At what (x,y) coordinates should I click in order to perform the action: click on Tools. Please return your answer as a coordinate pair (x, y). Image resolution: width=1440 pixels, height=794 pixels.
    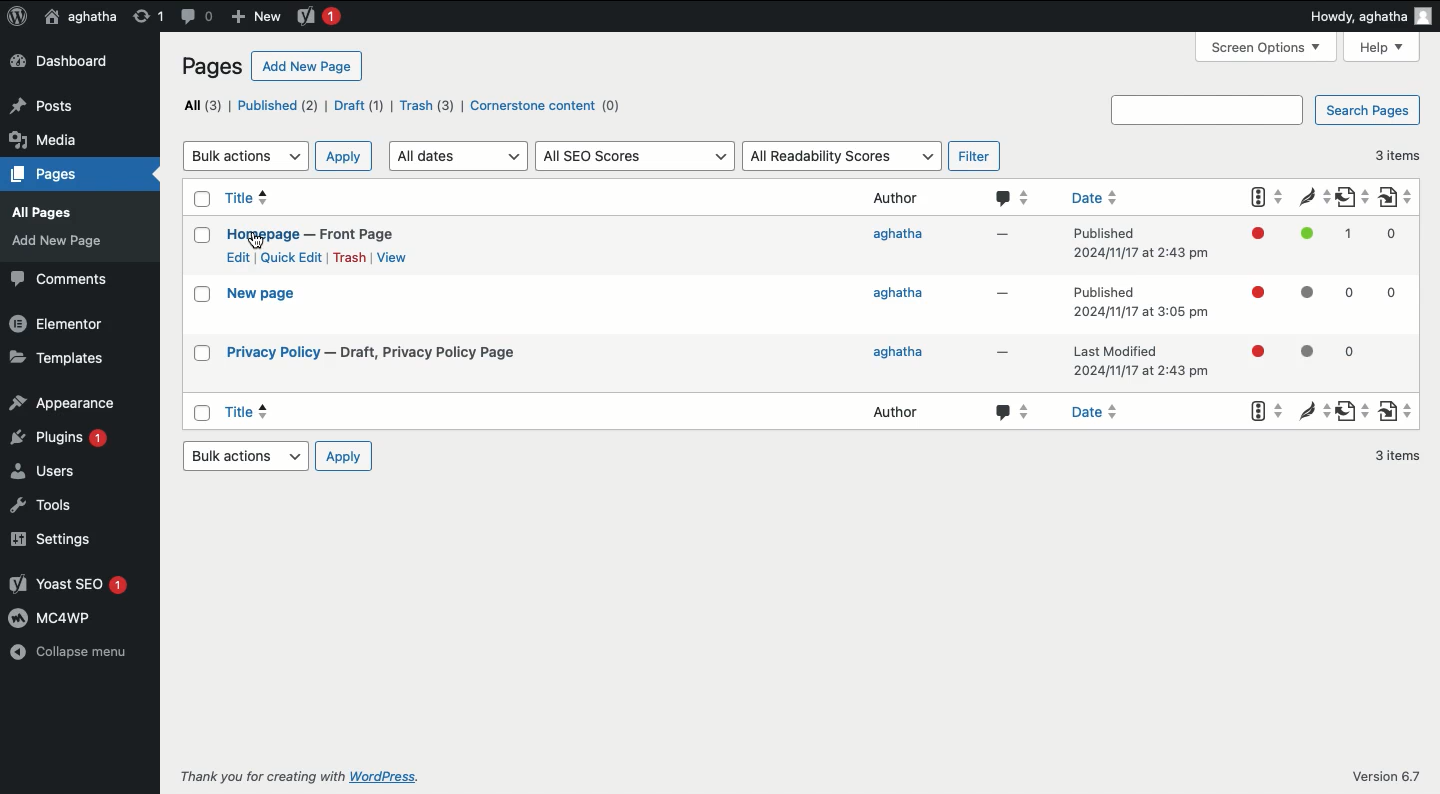
    Looking at the image, I should click on (39, 504).